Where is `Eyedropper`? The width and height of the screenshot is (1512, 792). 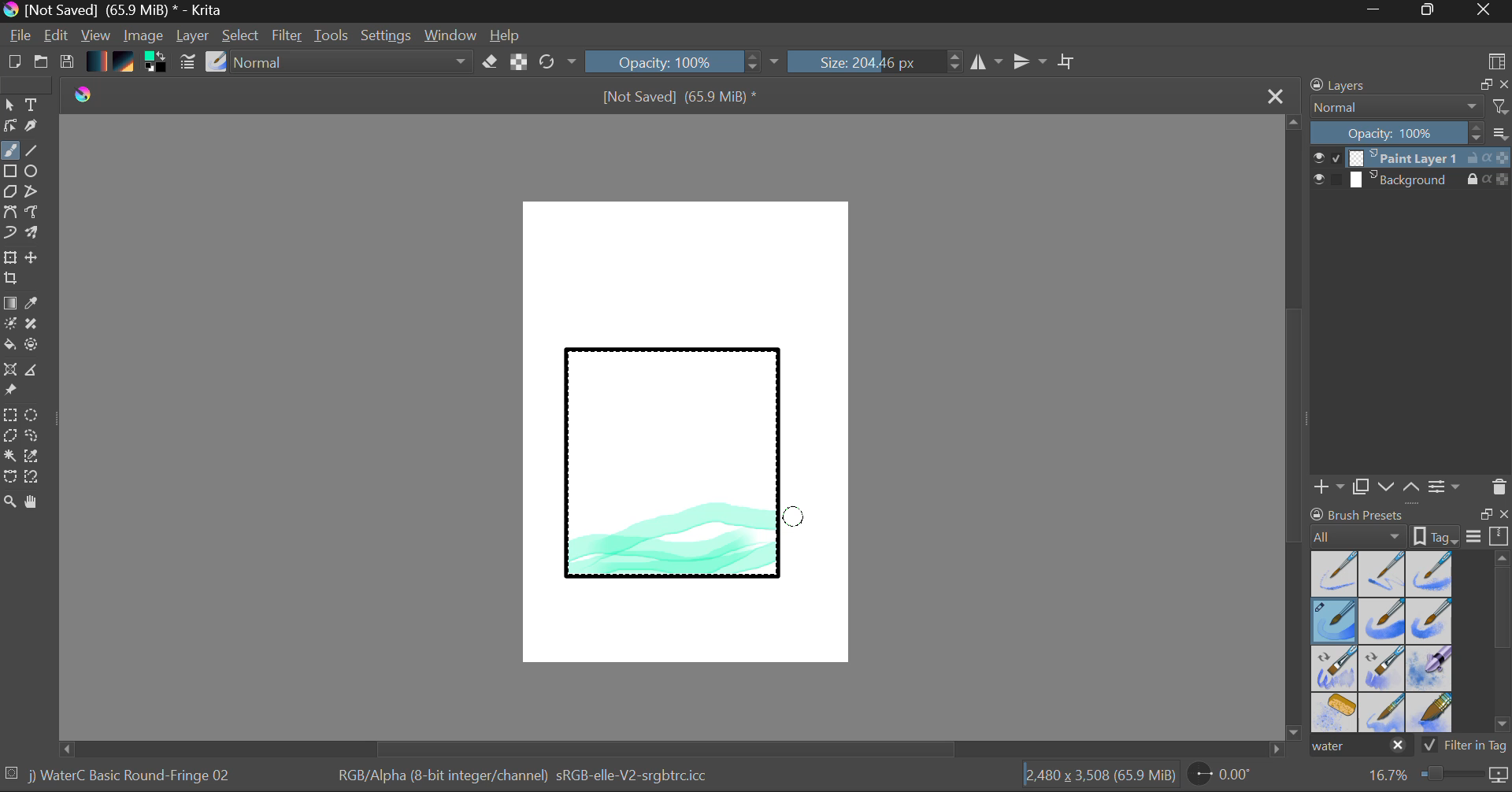 Eyedropper is located at coordinates (35, 304).